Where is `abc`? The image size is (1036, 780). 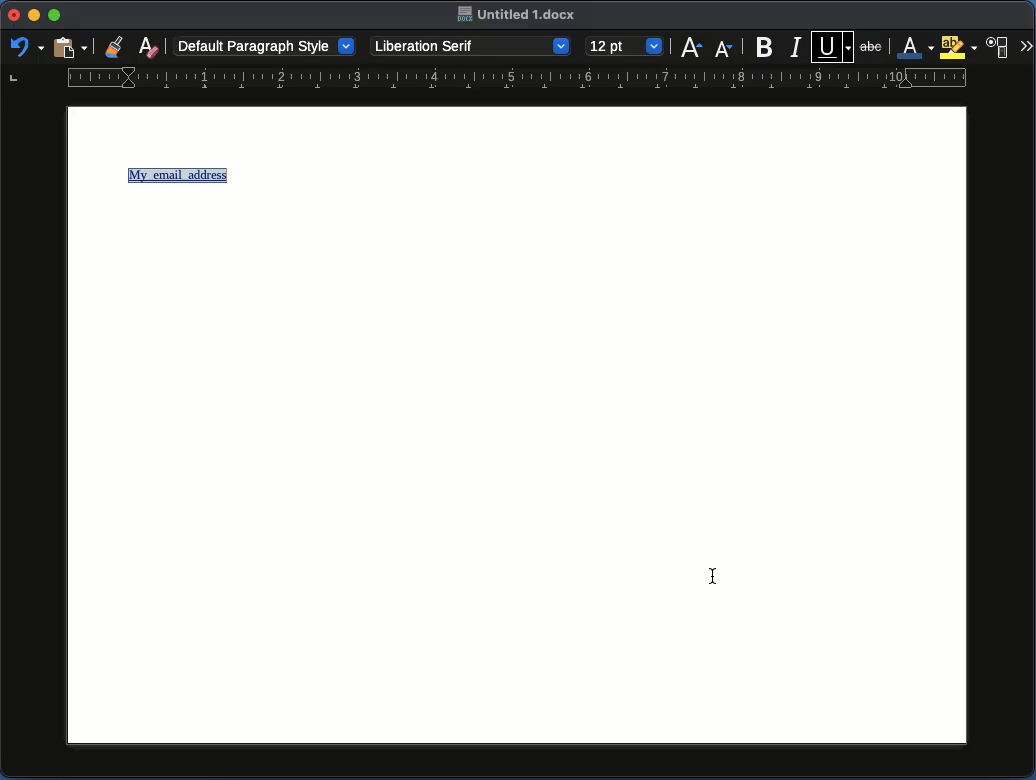
abc is located at coordinates (871, 50).